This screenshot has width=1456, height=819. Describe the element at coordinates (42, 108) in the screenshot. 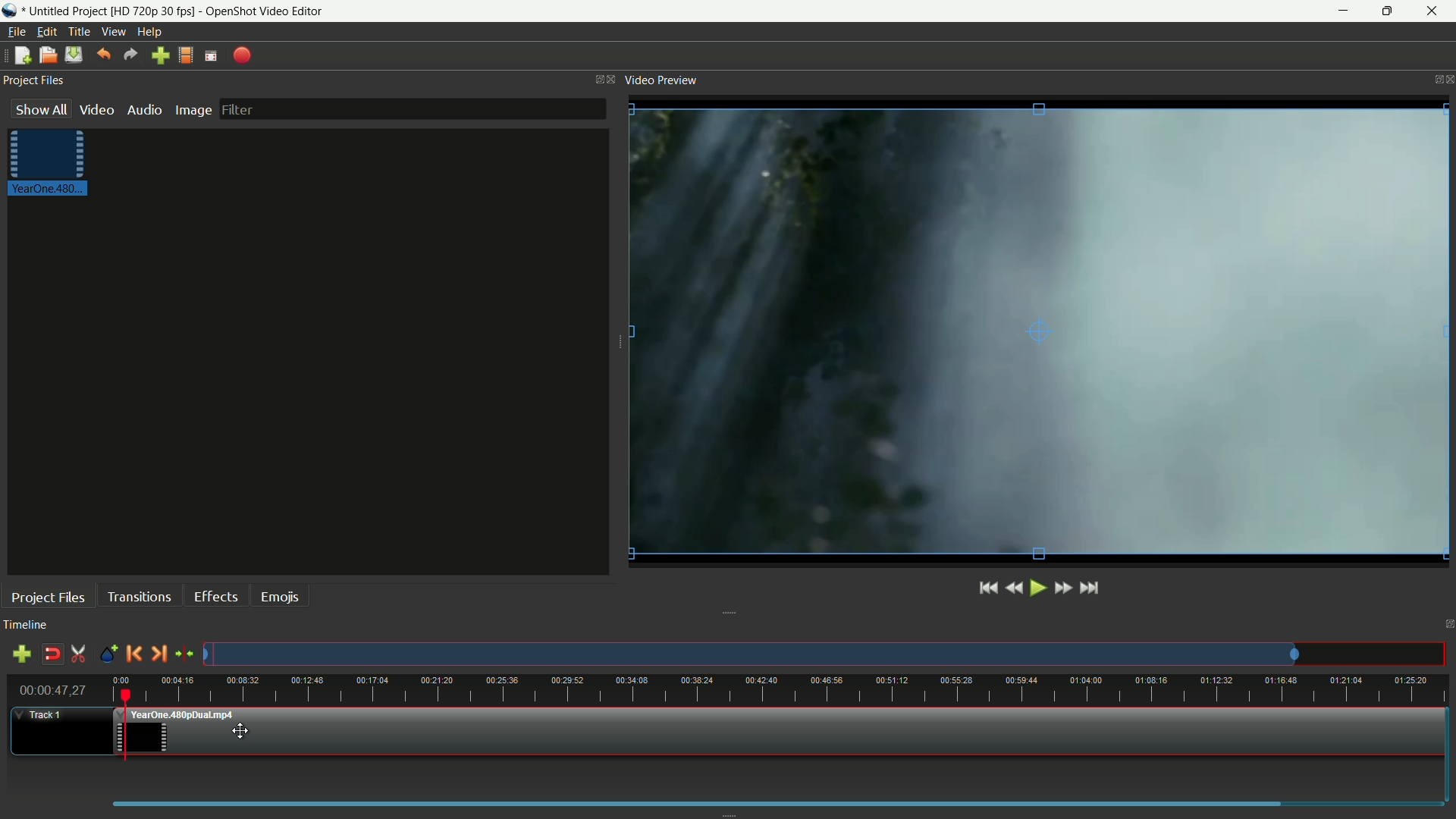

I see `show all` at that location.